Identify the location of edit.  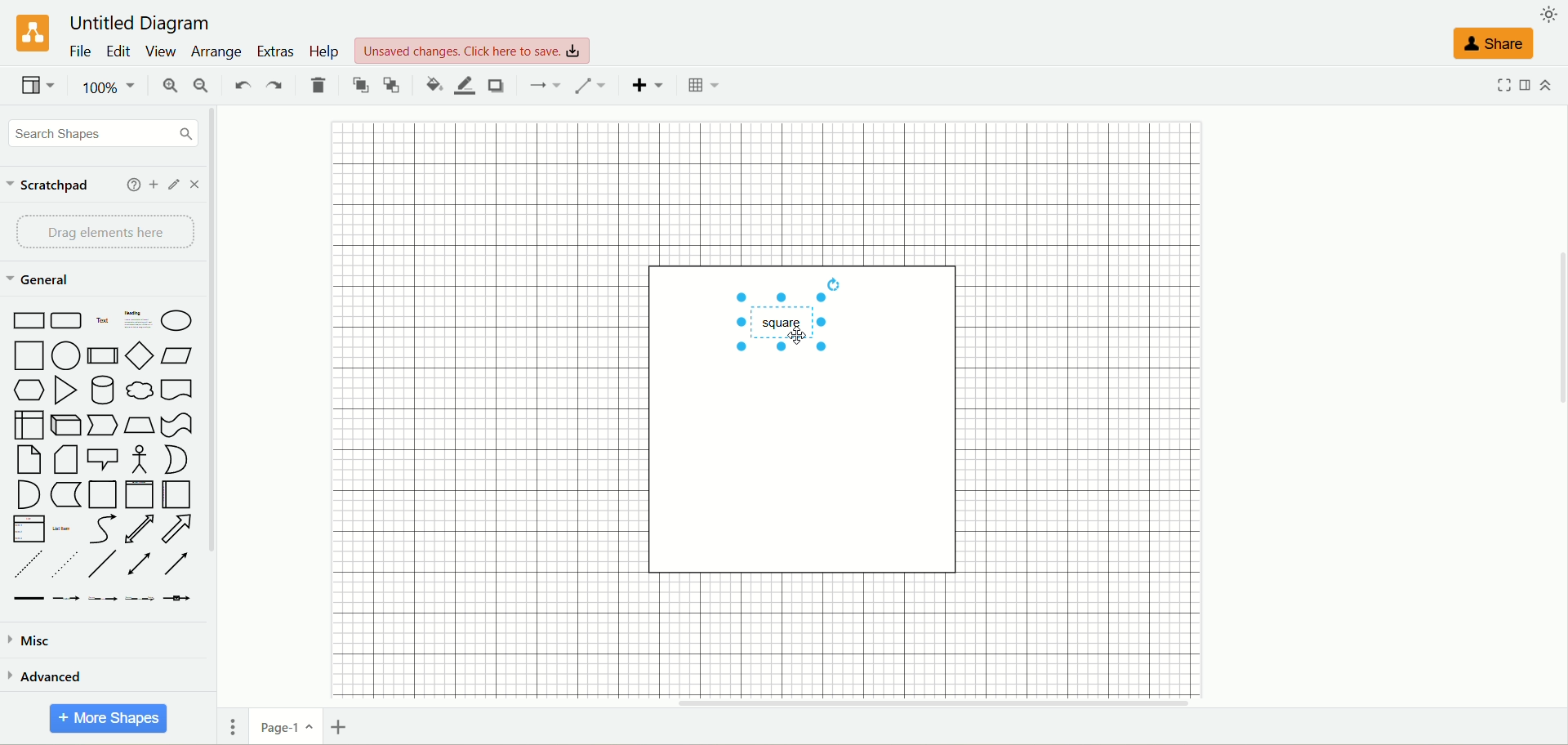
(173, 184).